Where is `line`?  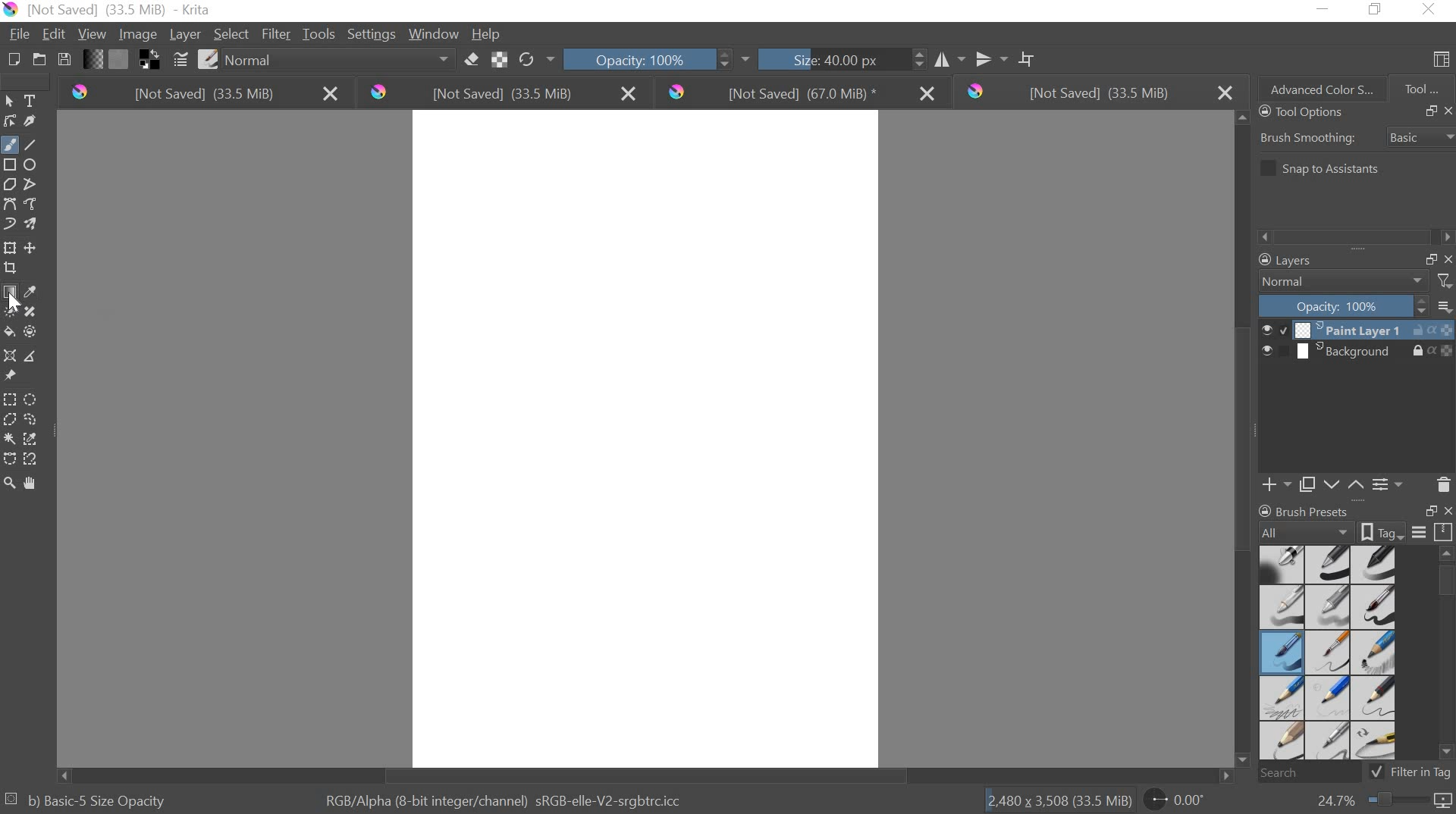
line is located at coordinates (35, 146).